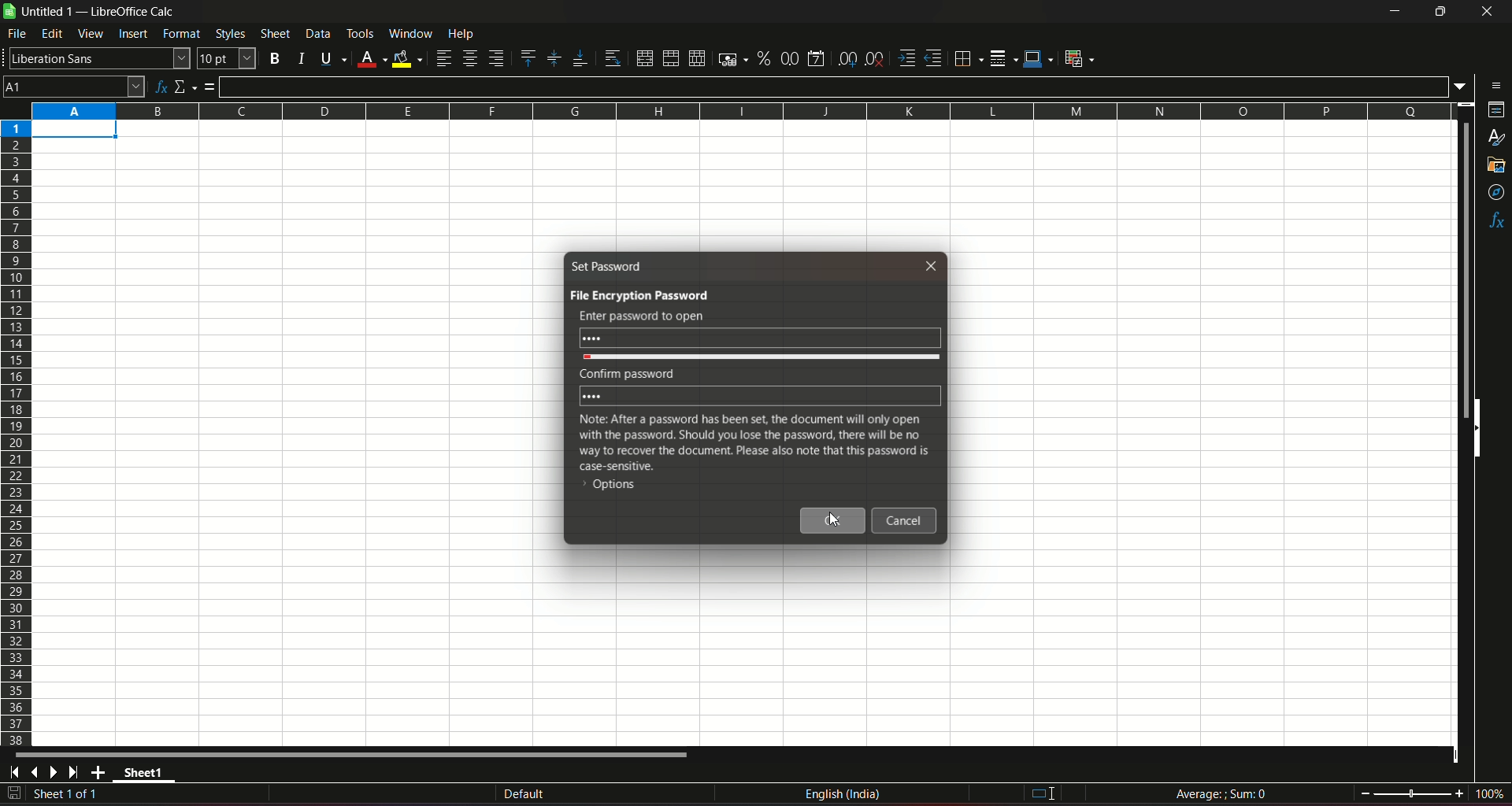 Image resolution: width=1512 pixels, height=806 pixels. Describe the element at coordinates (1005, 57) in the screenshot. I see `border style` at that location.